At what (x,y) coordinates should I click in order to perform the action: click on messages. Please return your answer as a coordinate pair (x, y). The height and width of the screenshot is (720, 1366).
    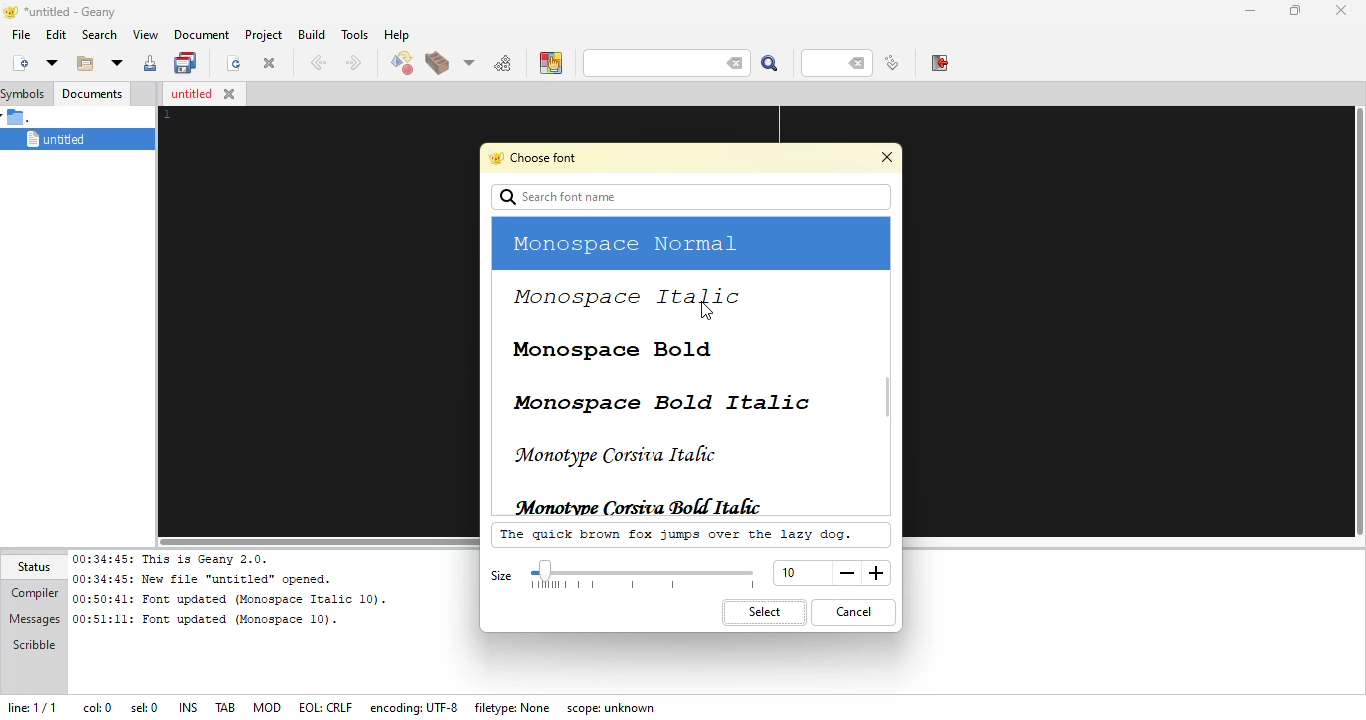
    Looking at the image, I should click on (34, 620).